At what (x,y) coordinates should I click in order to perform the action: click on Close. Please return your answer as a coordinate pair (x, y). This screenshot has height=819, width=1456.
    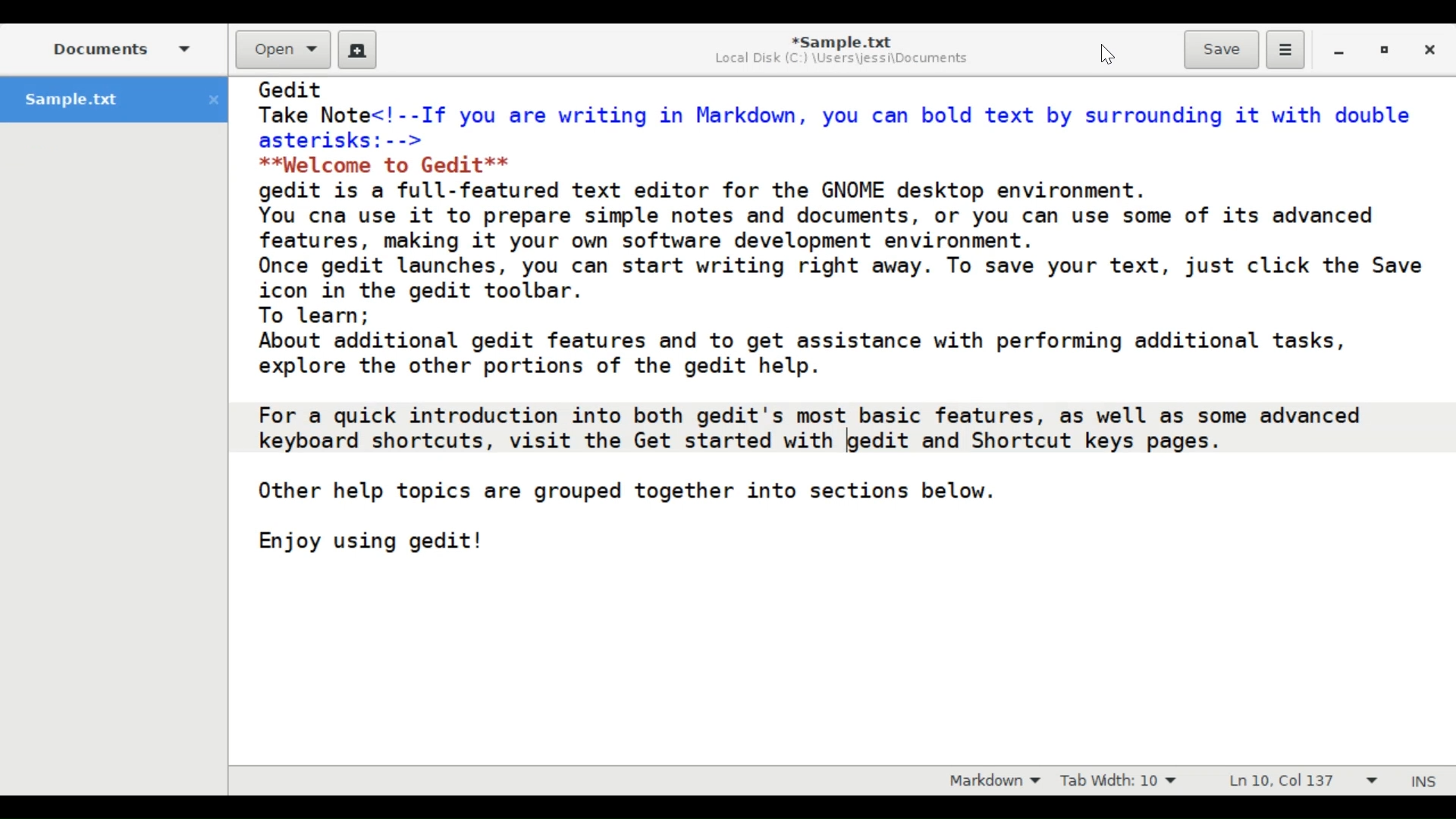
    Looking at the image, I should click on (1432, 52).